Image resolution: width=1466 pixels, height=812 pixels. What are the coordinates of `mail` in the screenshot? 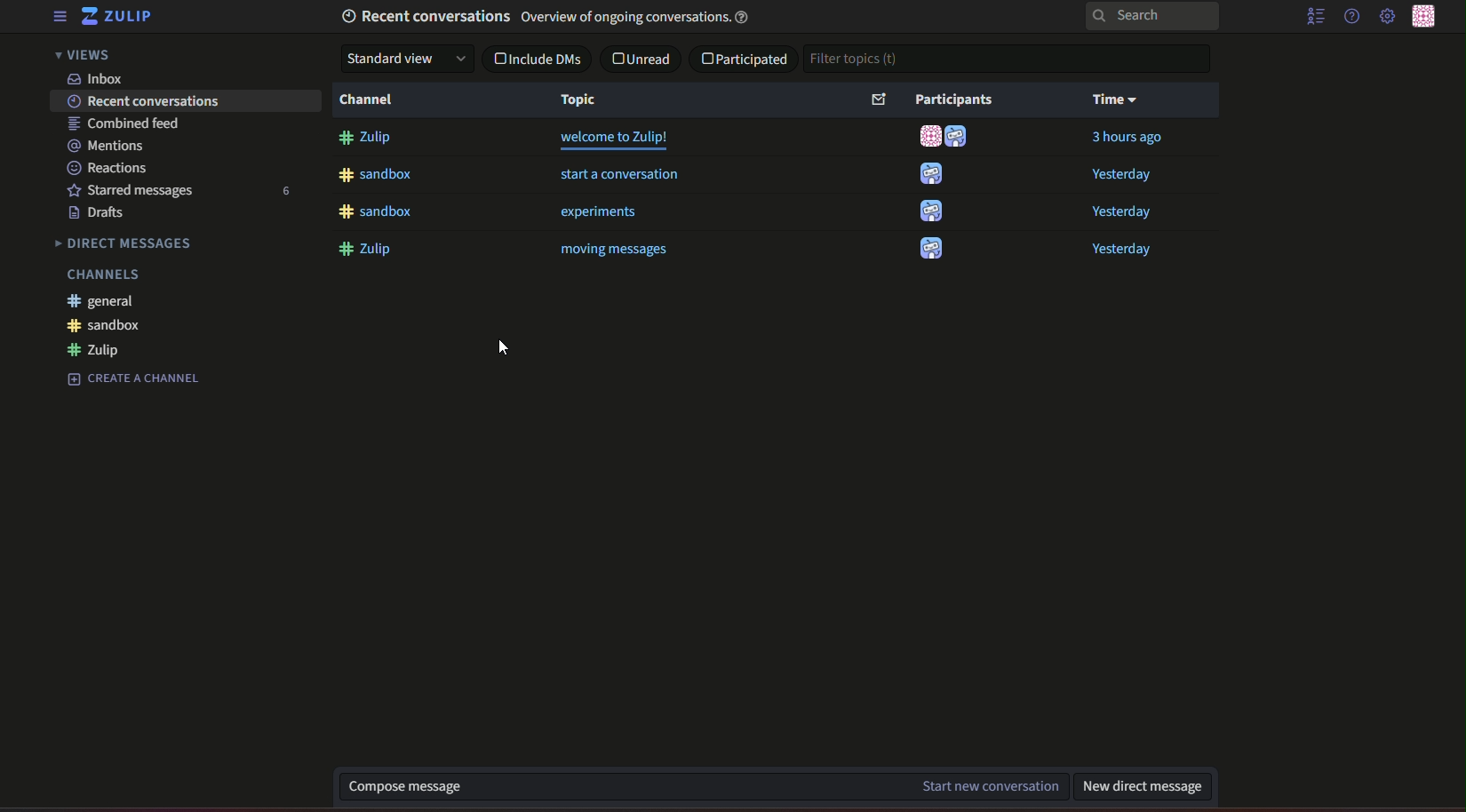 It's located at (875, 100).